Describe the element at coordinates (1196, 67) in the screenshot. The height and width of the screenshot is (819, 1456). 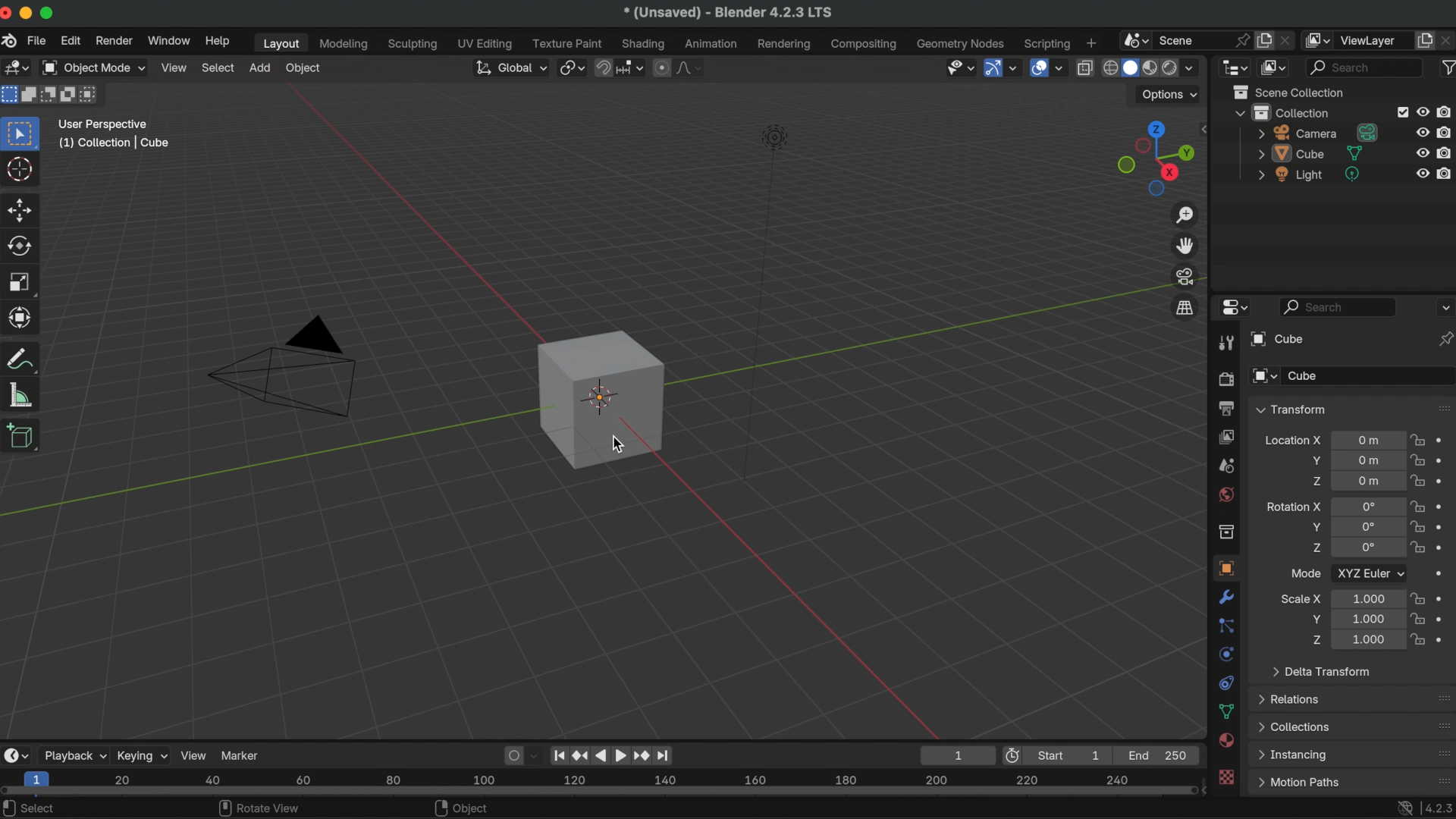
I see `shading` at that location.